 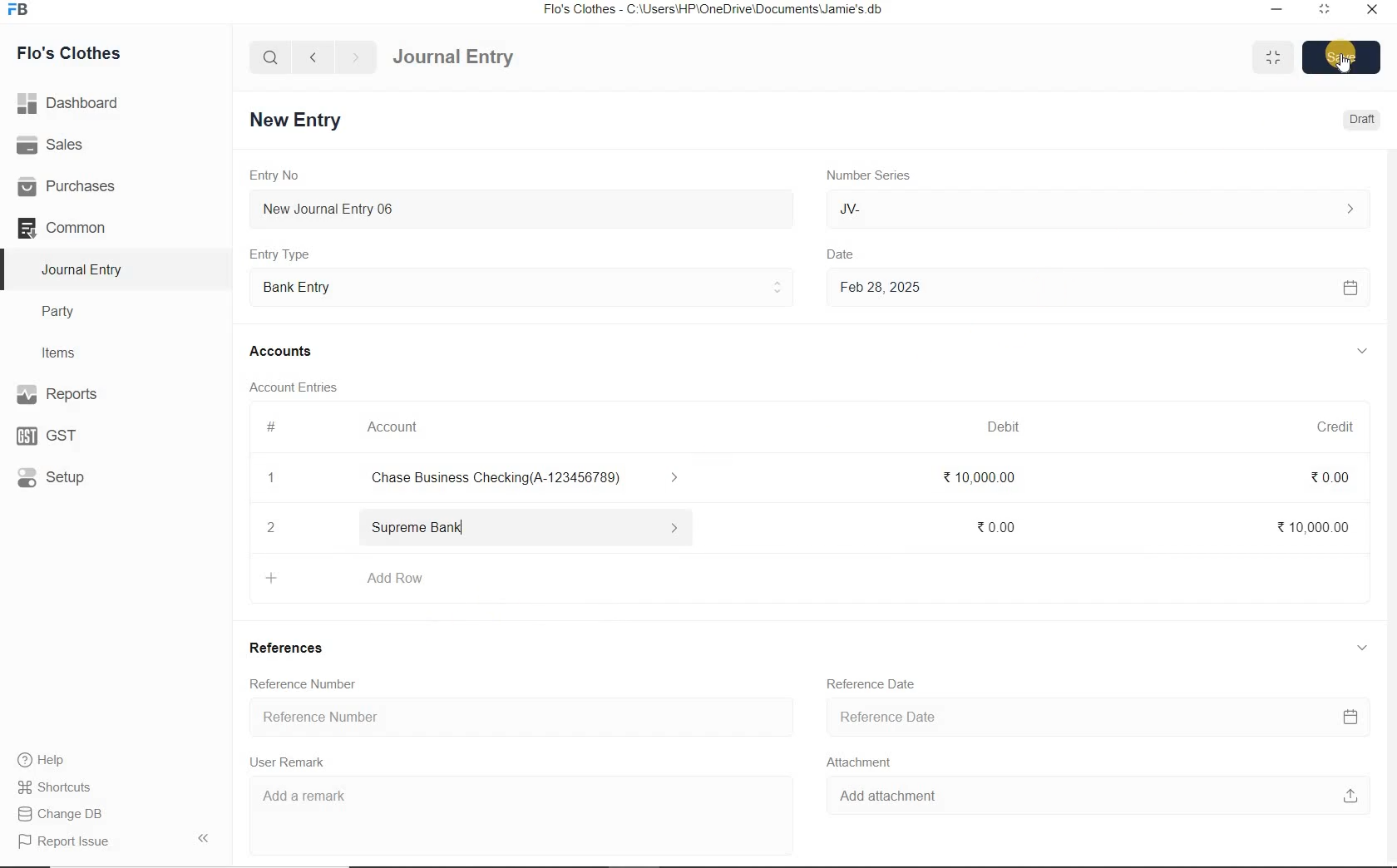 I want to click on #, so click(x=272, y=427).